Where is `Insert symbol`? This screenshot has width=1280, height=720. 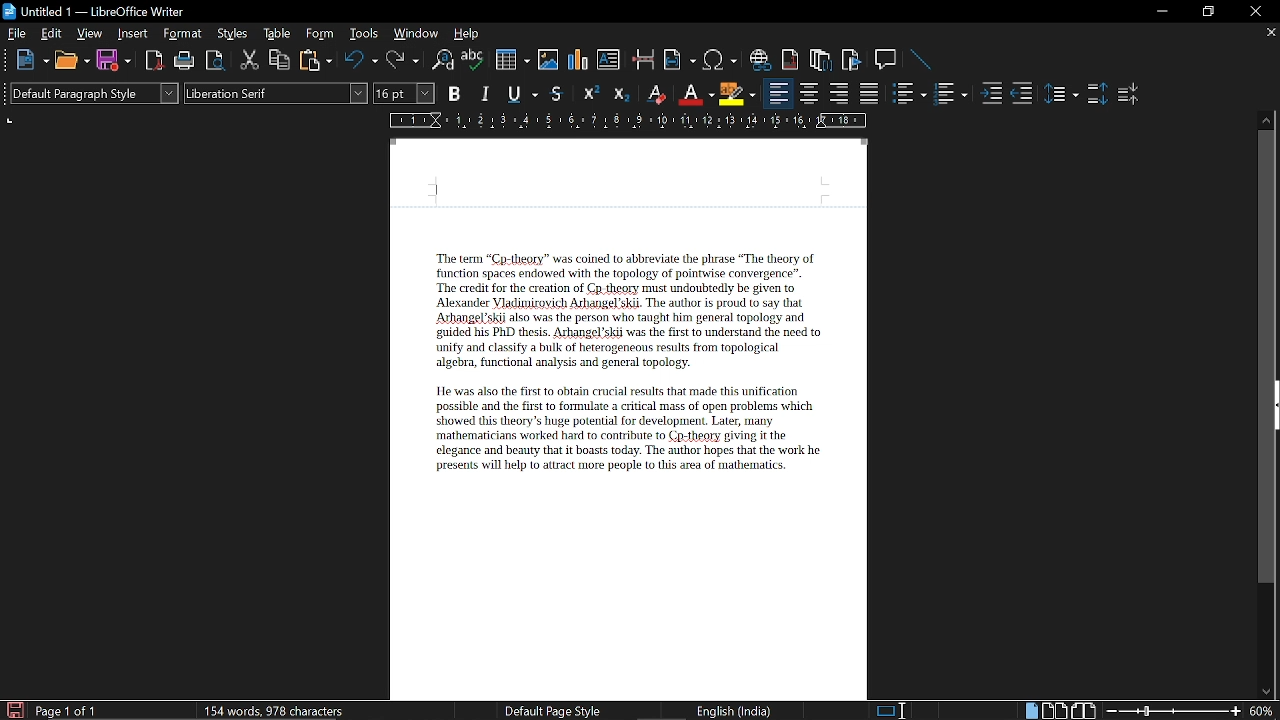 Insert symbol is located at coordinates (722, 60).